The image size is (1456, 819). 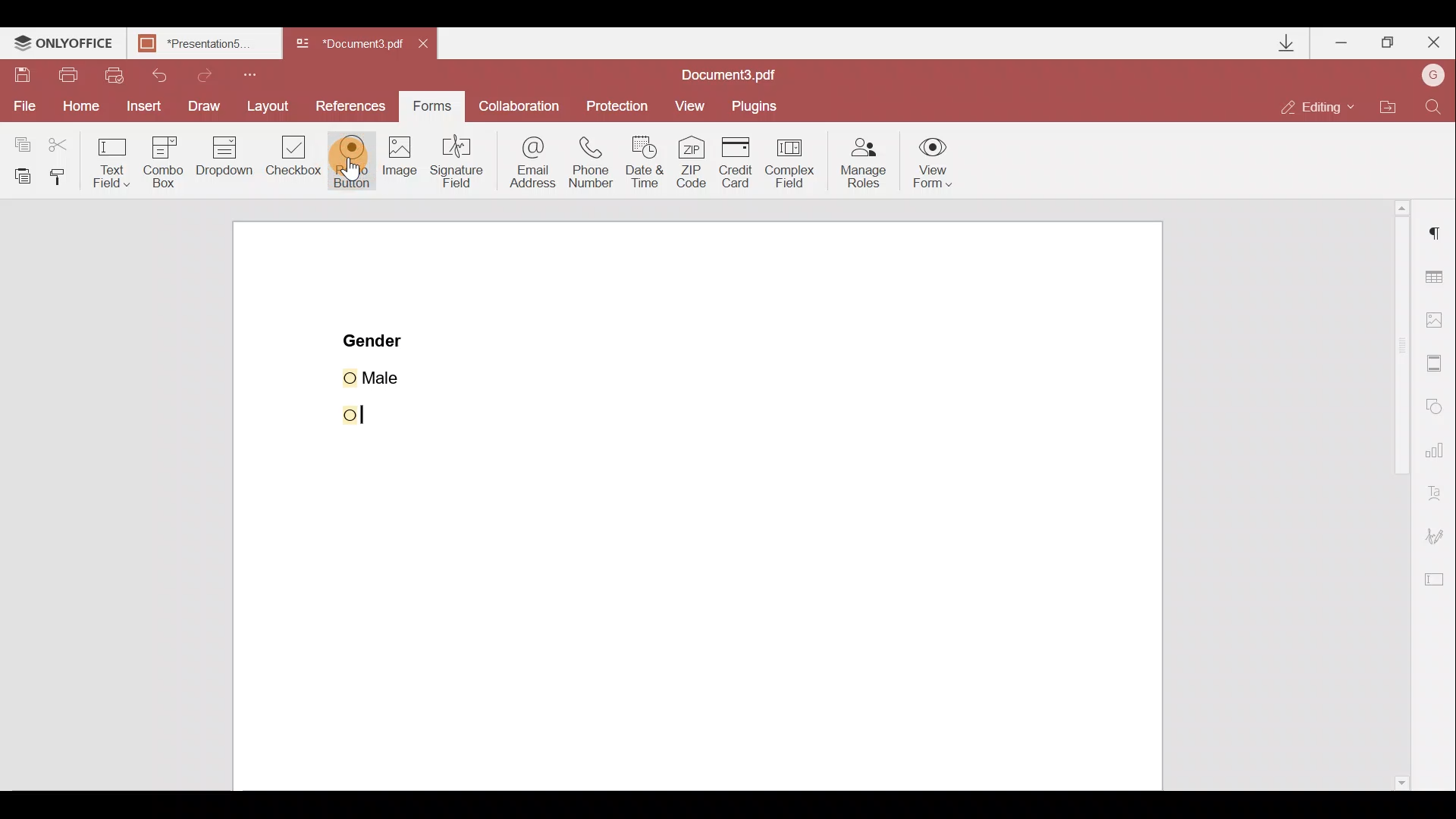 I want to click on Signature settings, so click(x=1442, y=536).